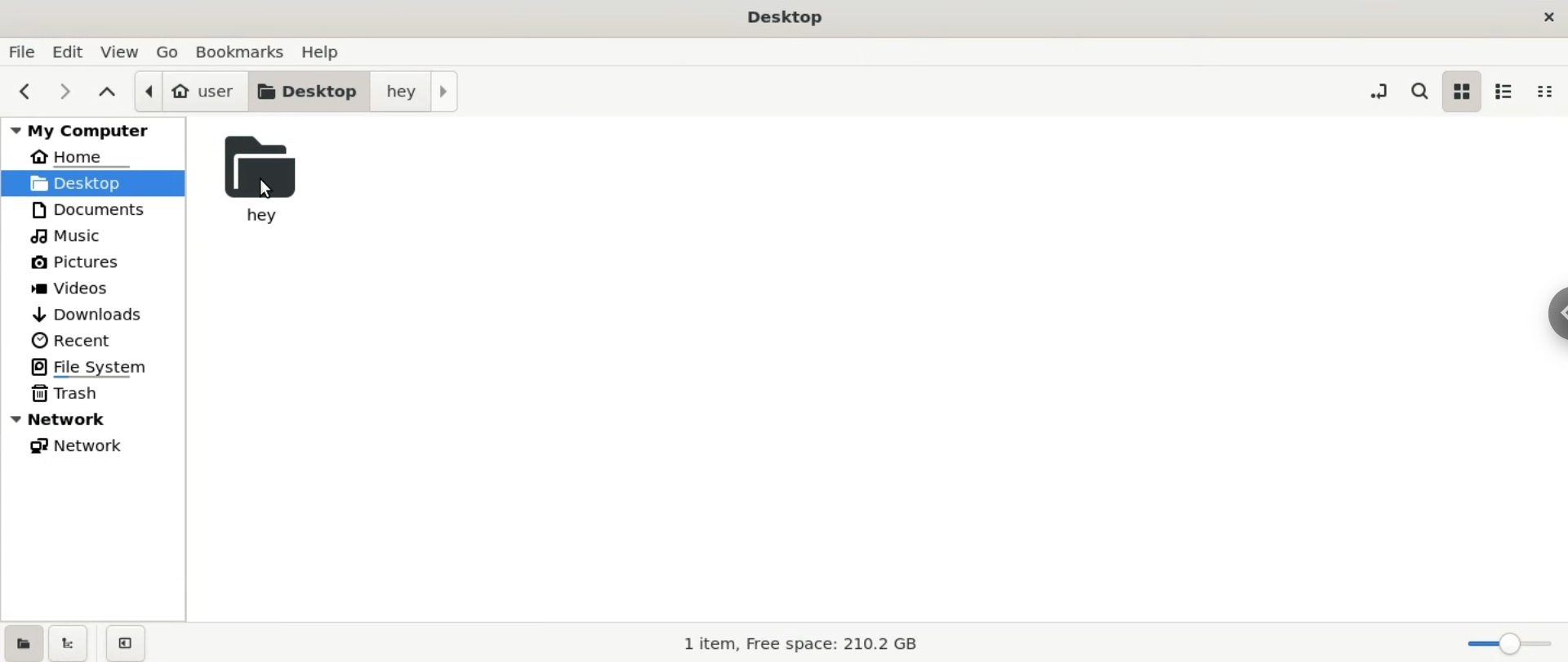  I want to click on hey, so click(416, 92).